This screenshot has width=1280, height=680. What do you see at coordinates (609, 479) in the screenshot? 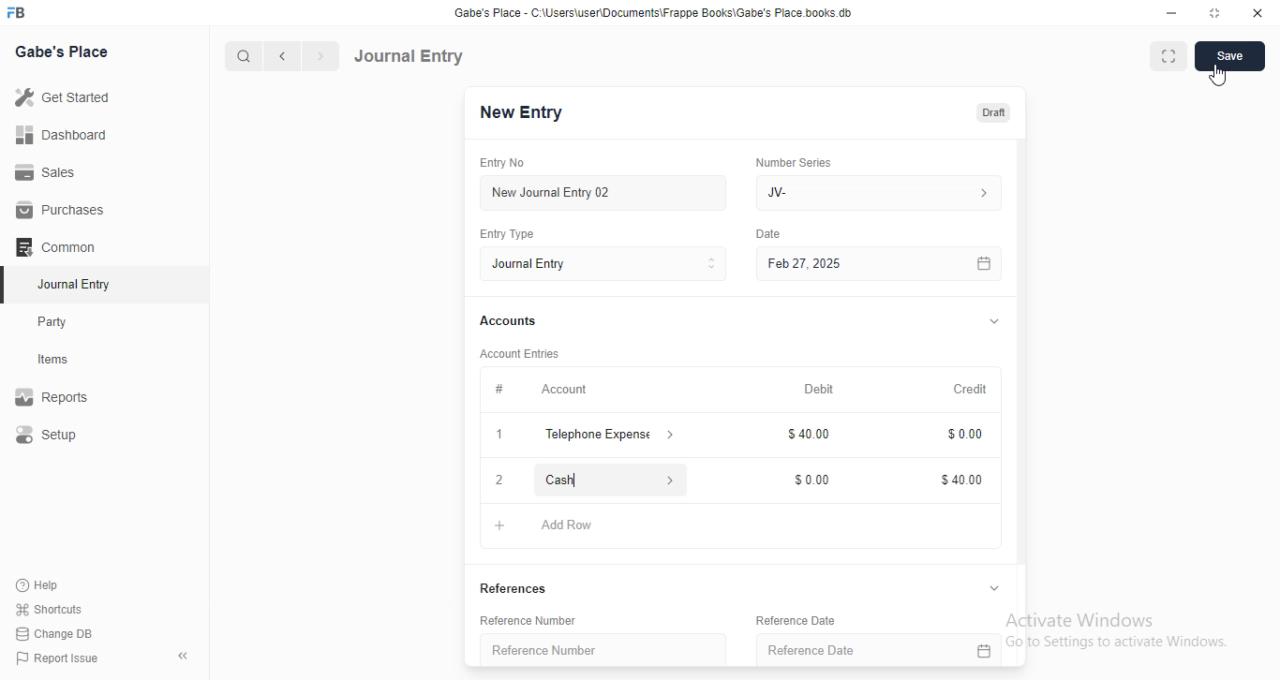
I see `Cash` at bounding box center [609, 479].